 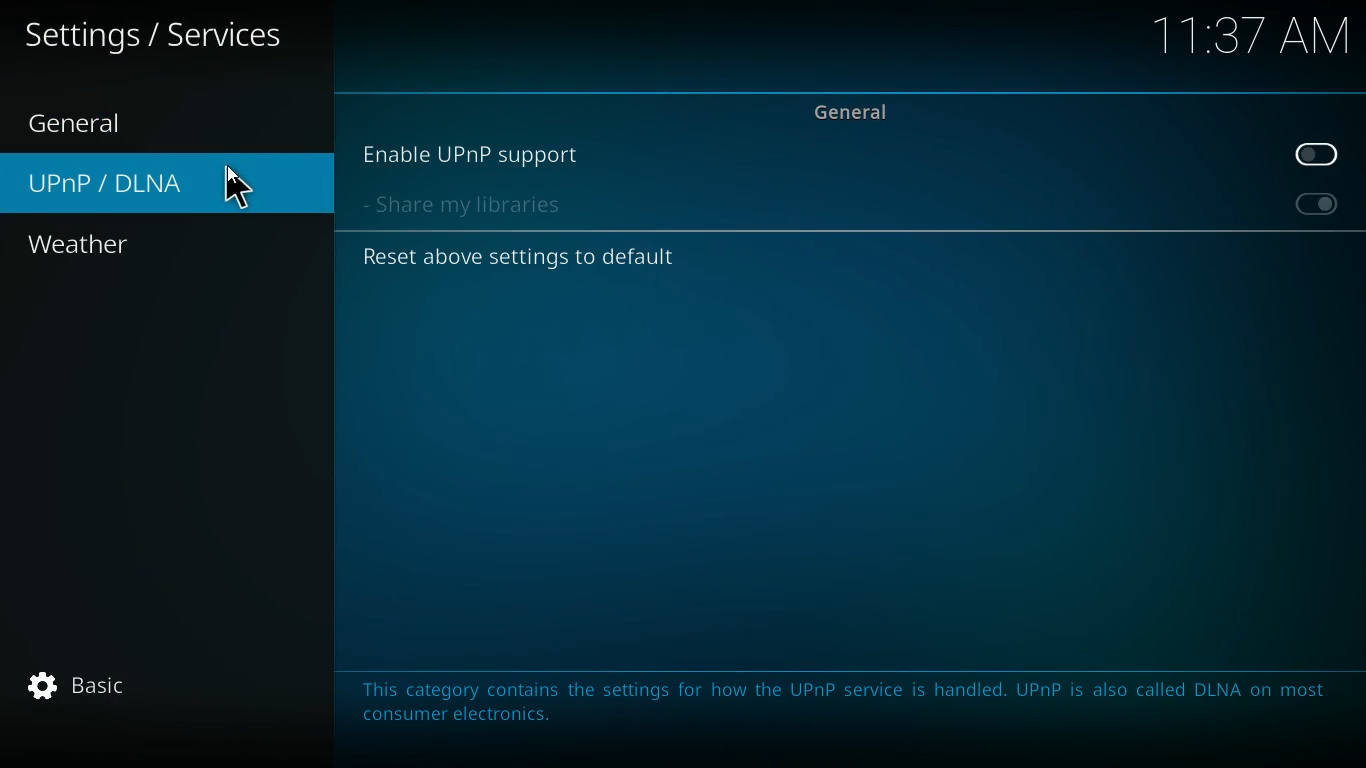 What do you see at coordinates (1248, 39) in the screenshot?
I see `11:37 AM` at bounding box center [1248, 39].